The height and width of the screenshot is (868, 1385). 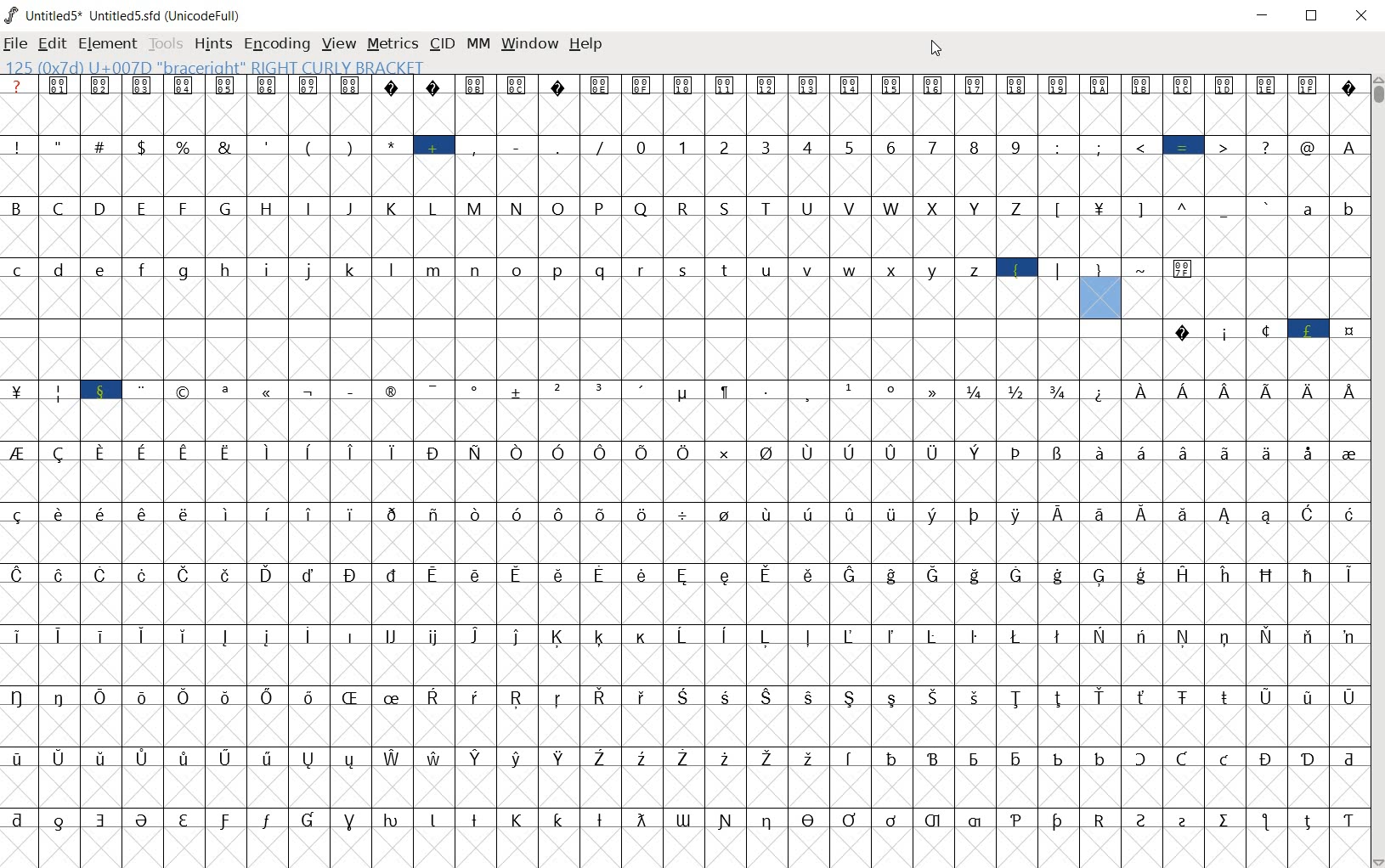 I want to click on EDIT, so click(x=52, y=45).